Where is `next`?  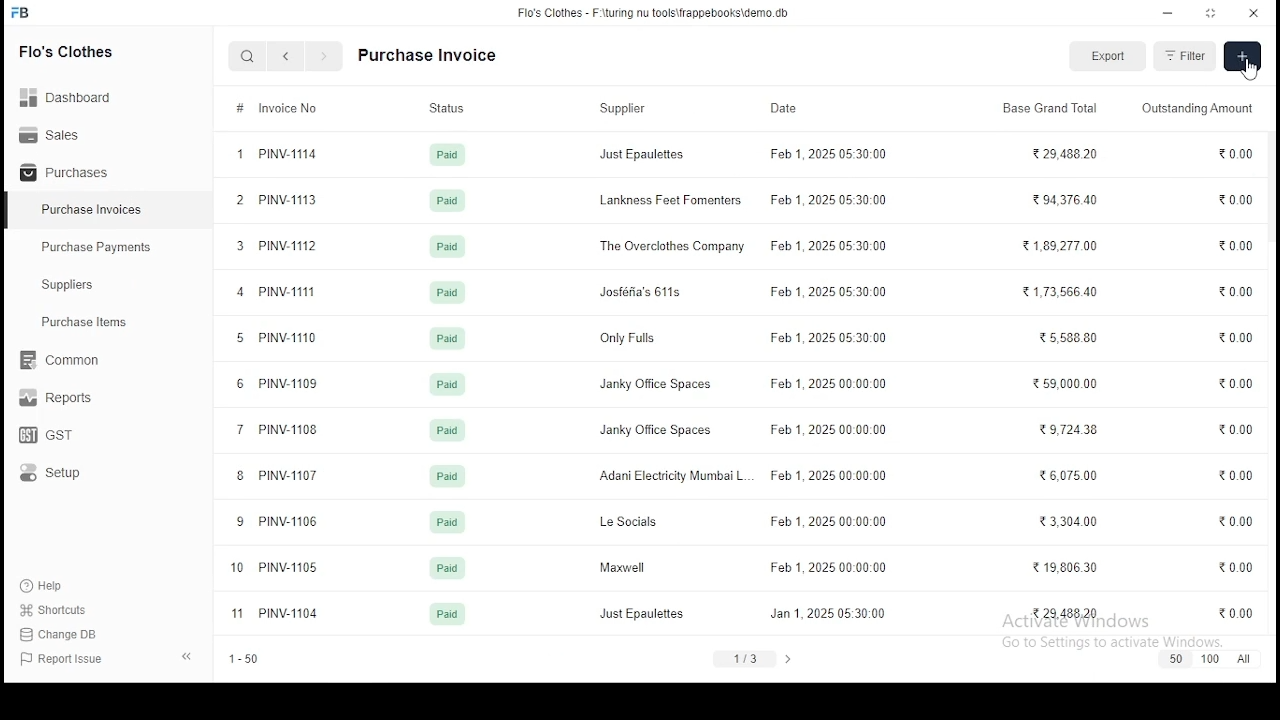 next is located at coordinates (789, 657).